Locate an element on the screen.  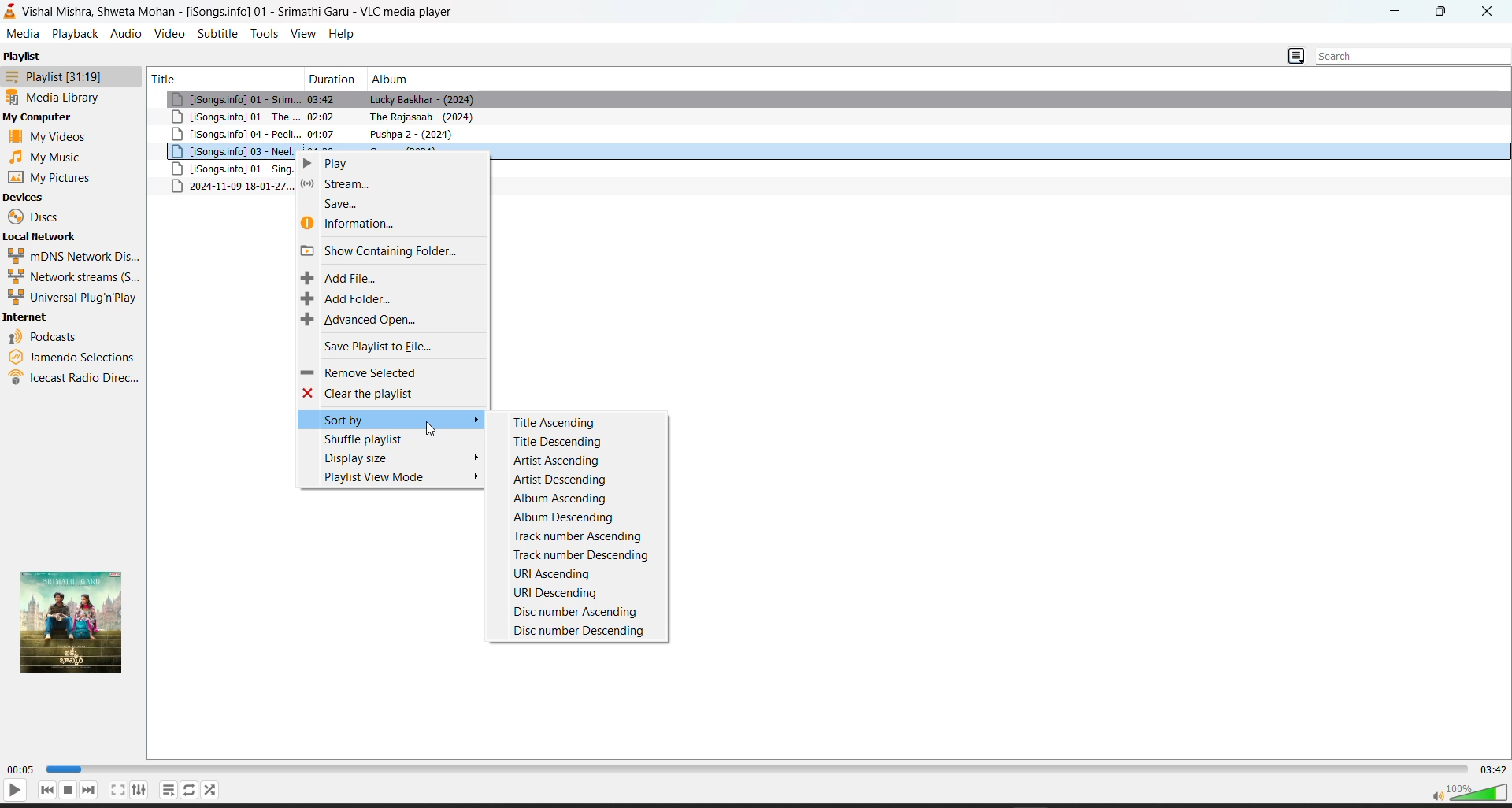
network streams is located at coordinates (74, 276).